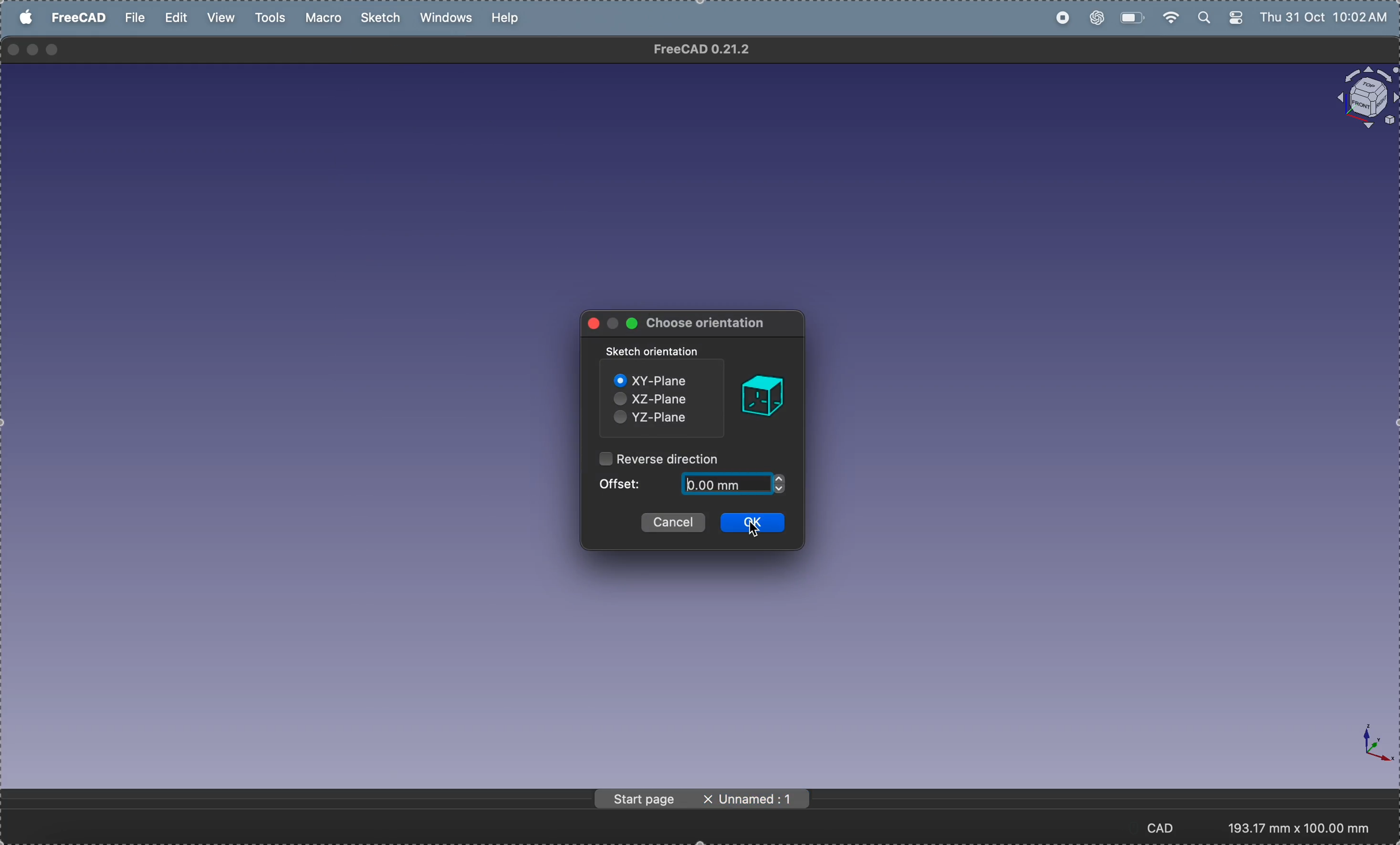 The width and height of the screenshot is (1400, 845). What do you see at coordinates (655, 352) in the screenshot?
I see `sketch orientation` at bounding box center [655, 352].